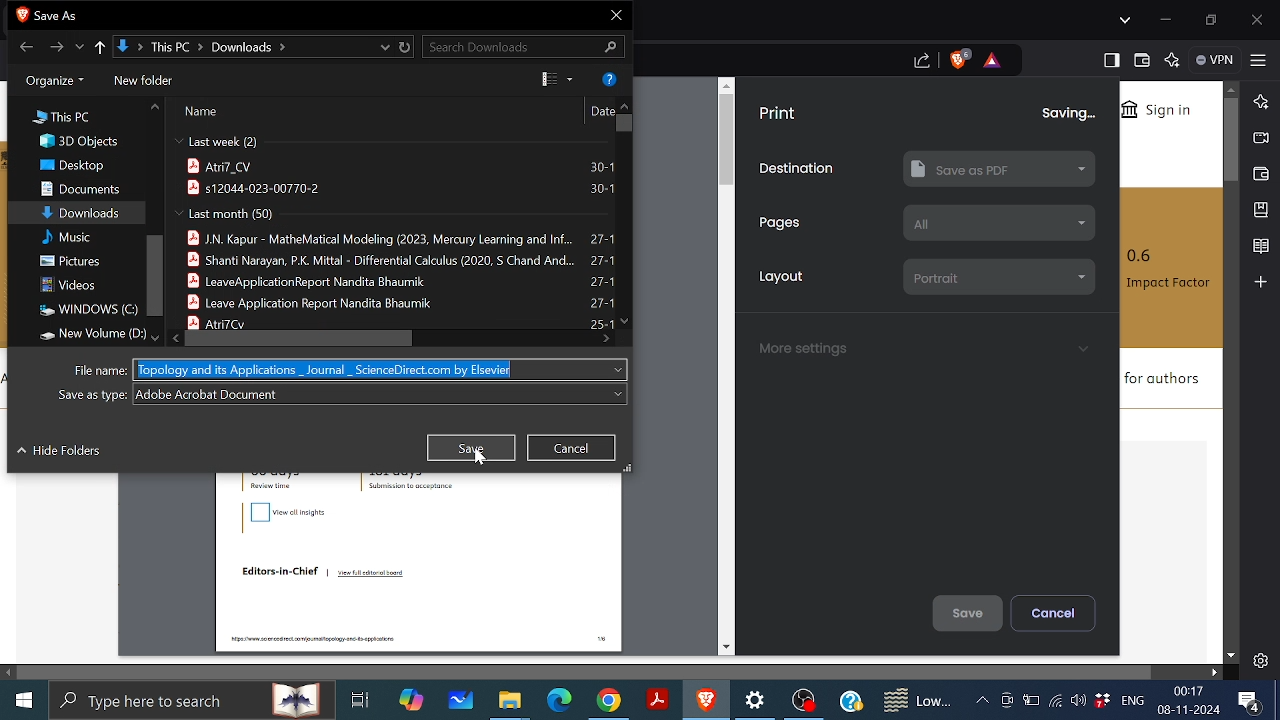 Image resolution: width=1280 pixels, height=720 pixels. I want to click on File name, so click(98, 372).